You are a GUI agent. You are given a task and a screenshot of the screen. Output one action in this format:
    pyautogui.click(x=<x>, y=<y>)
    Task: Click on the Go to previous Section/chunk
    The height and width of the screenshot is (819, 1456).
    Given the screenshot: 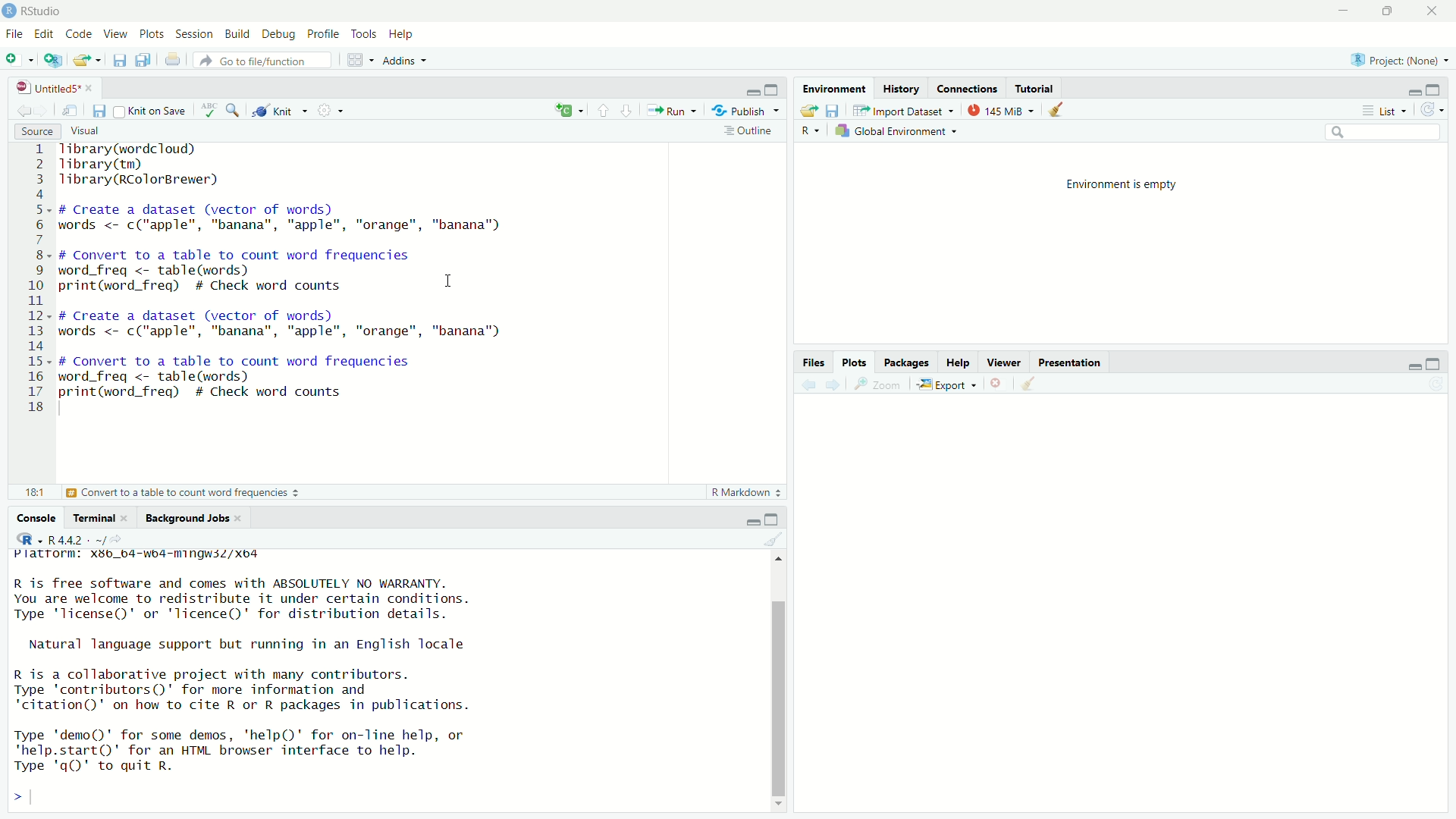 What is the action you would take?
    pyautogui.click(x=605, y=112)
    